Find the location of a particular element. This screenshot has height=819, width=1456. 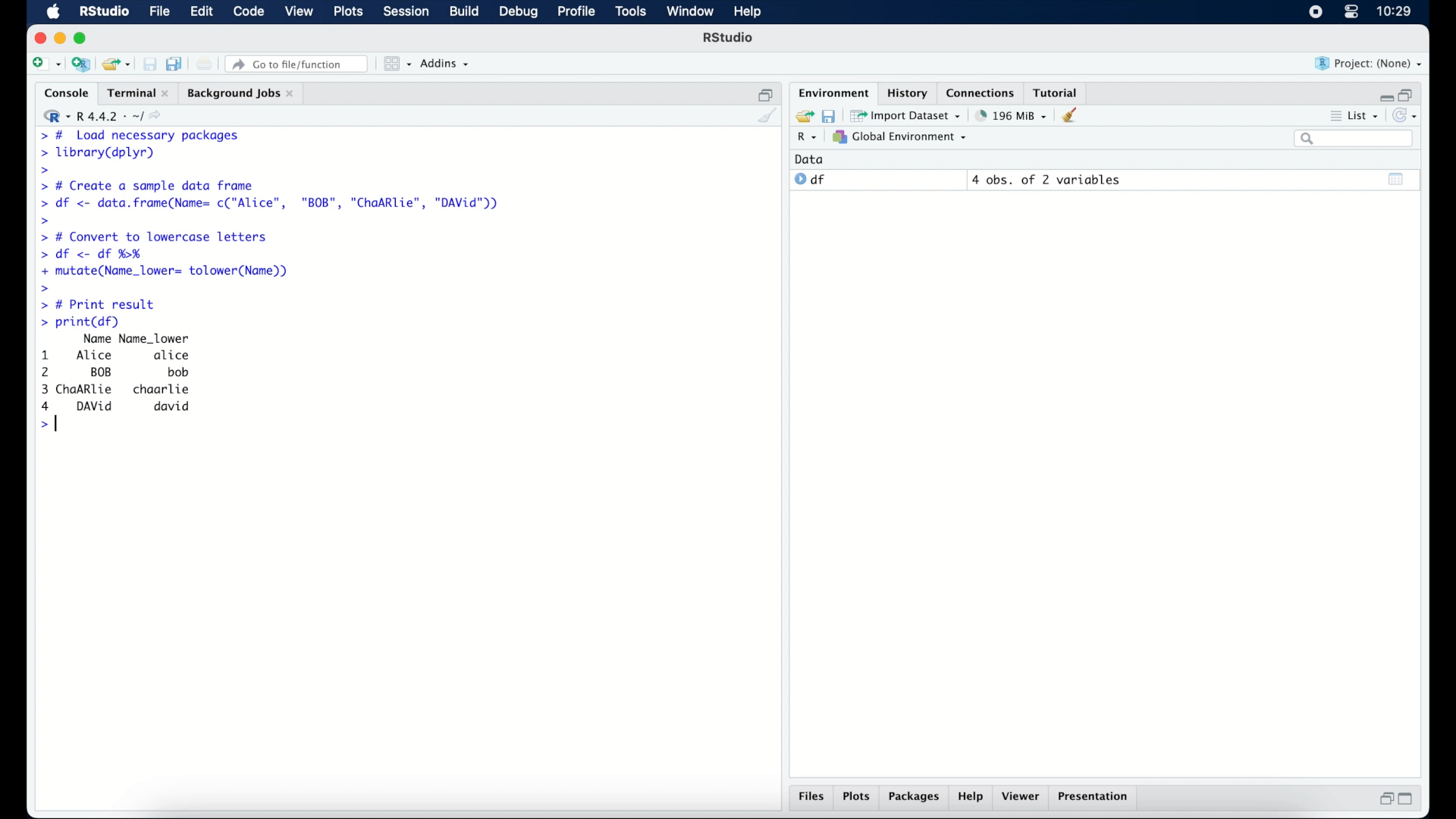

date is located at coordinates (810, 158).